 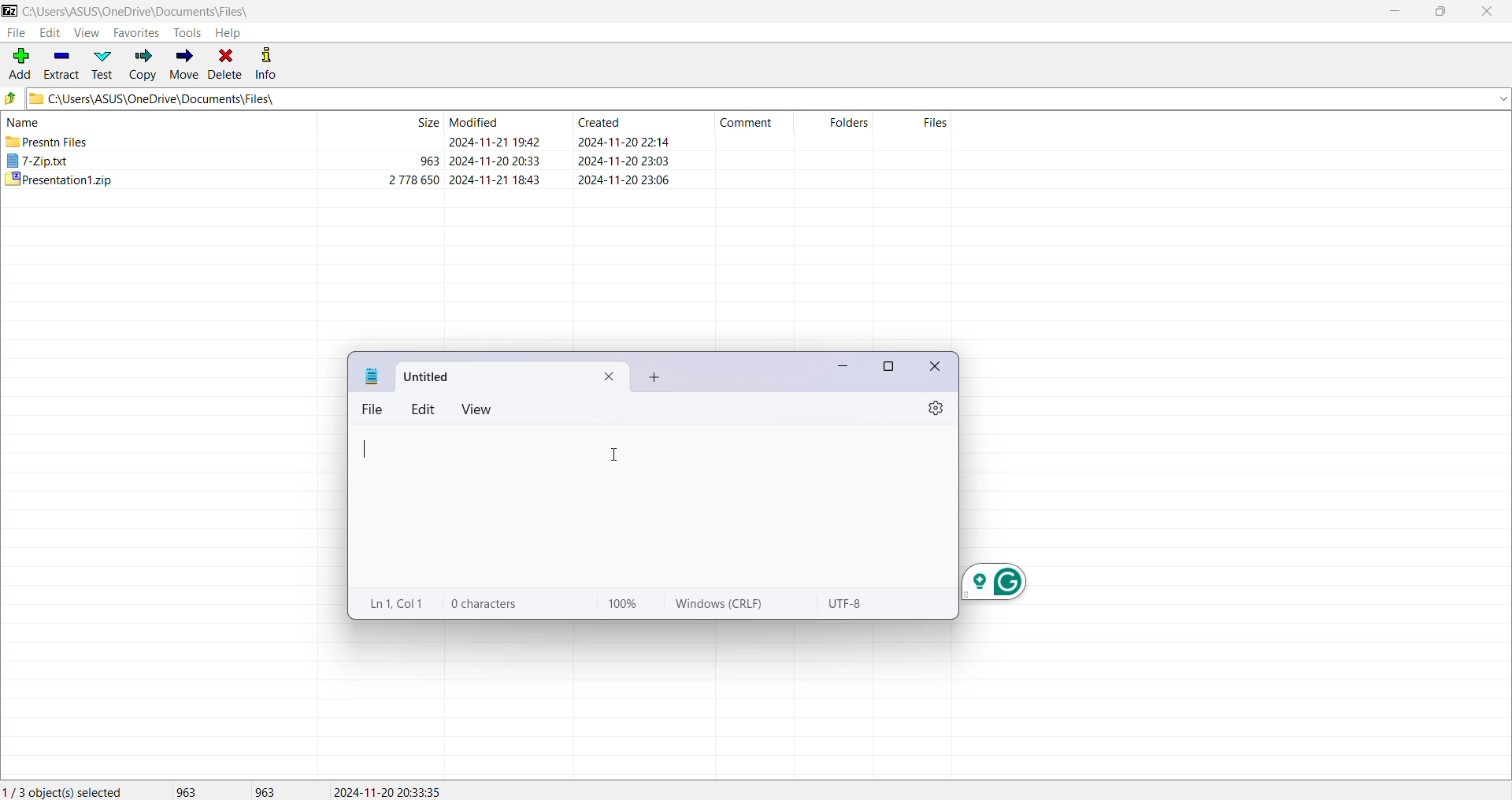 I want to click on Extract, so click(x=61, y=65).